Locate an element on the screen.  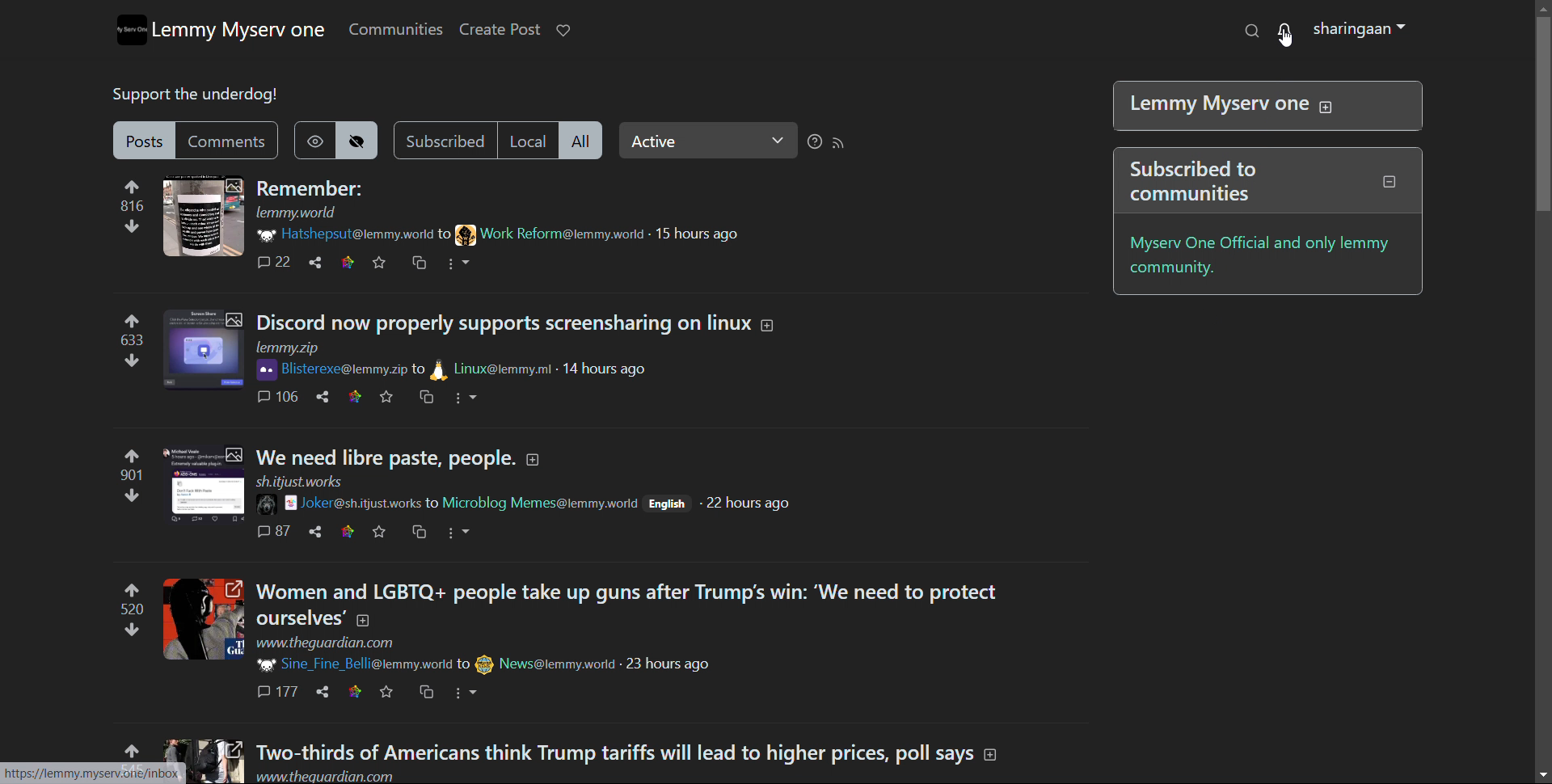
local is located at coordinates (533, 140).